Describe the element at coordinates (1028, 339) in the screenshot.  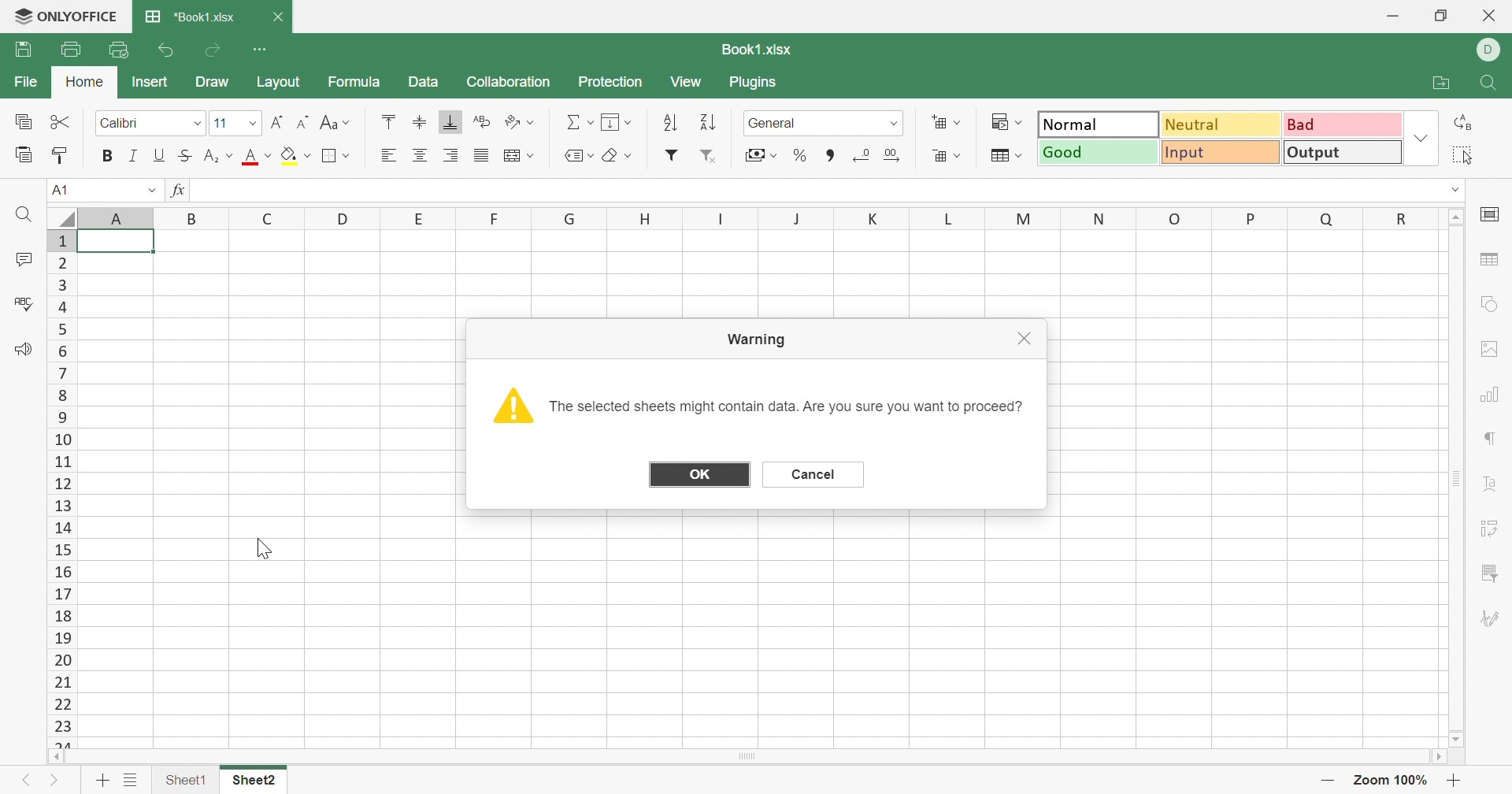
I see `Close` at that location.